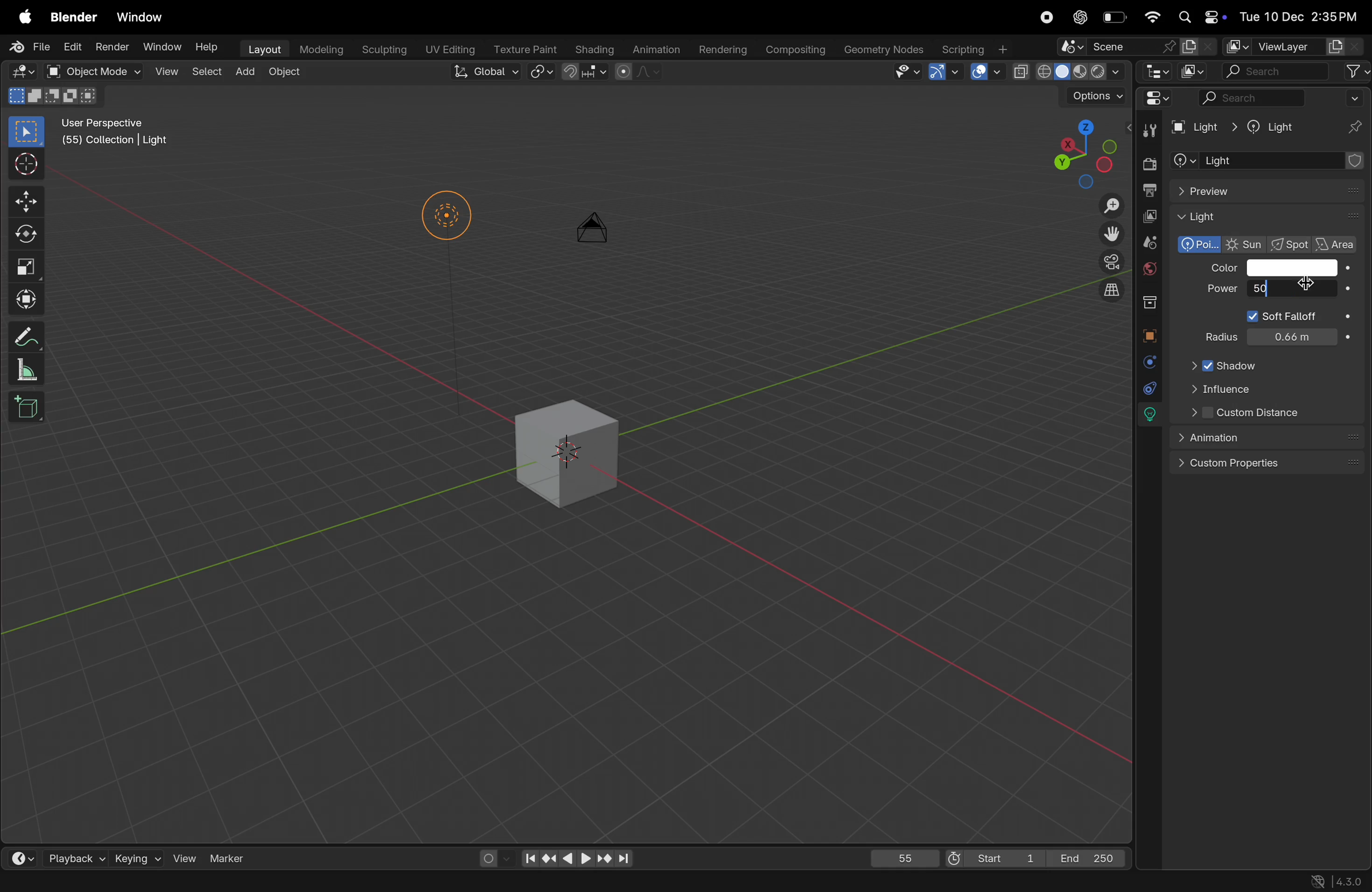  What do you see at coordinates (117, 134) in the screenshot?
I see `User perspective` at bounding box center [117, 134].